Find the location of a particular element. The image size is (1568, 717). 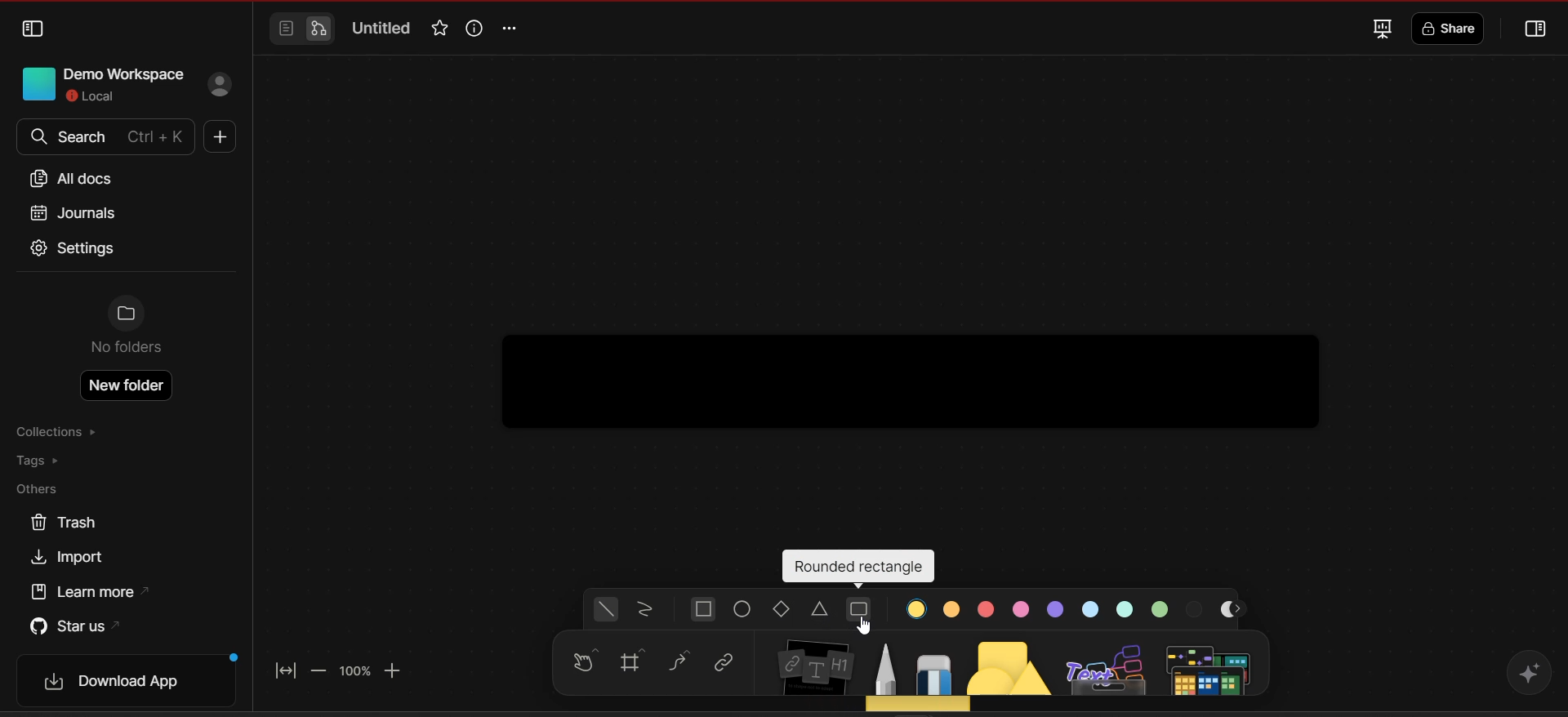

color 6 is located at coordinates (1094, 608).